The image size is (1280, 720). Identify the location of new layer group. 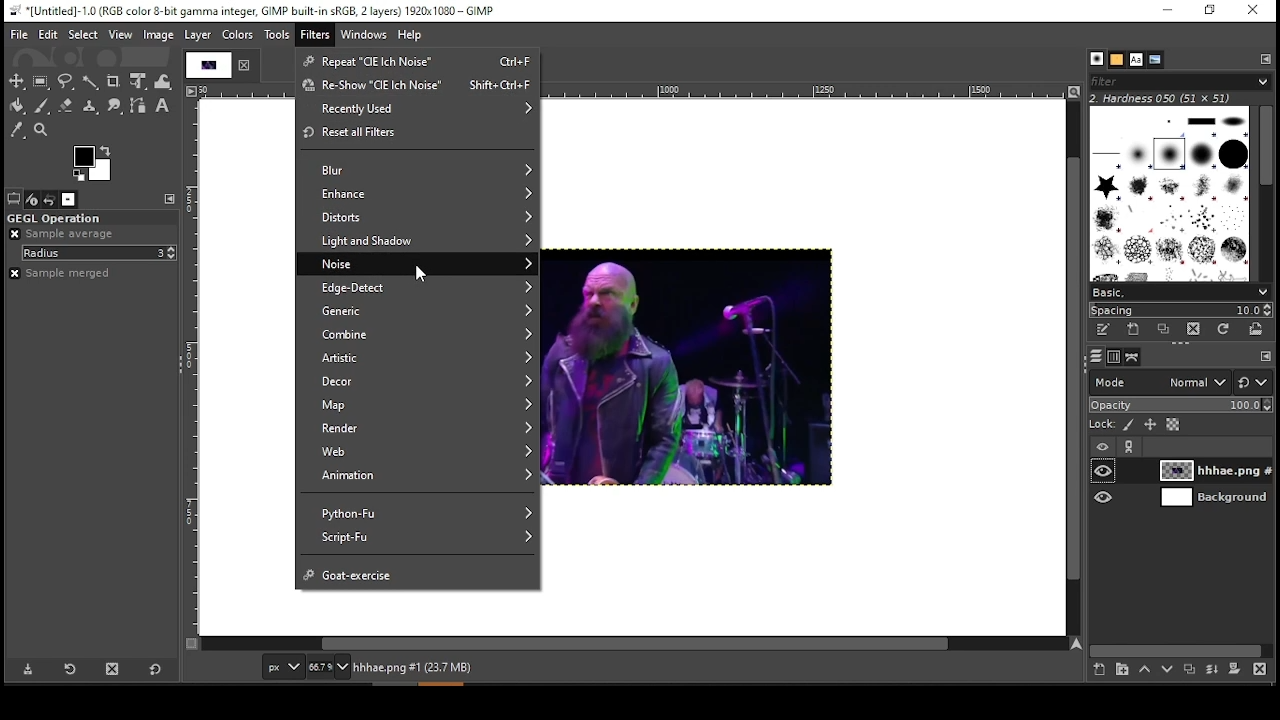
(1120, 670).